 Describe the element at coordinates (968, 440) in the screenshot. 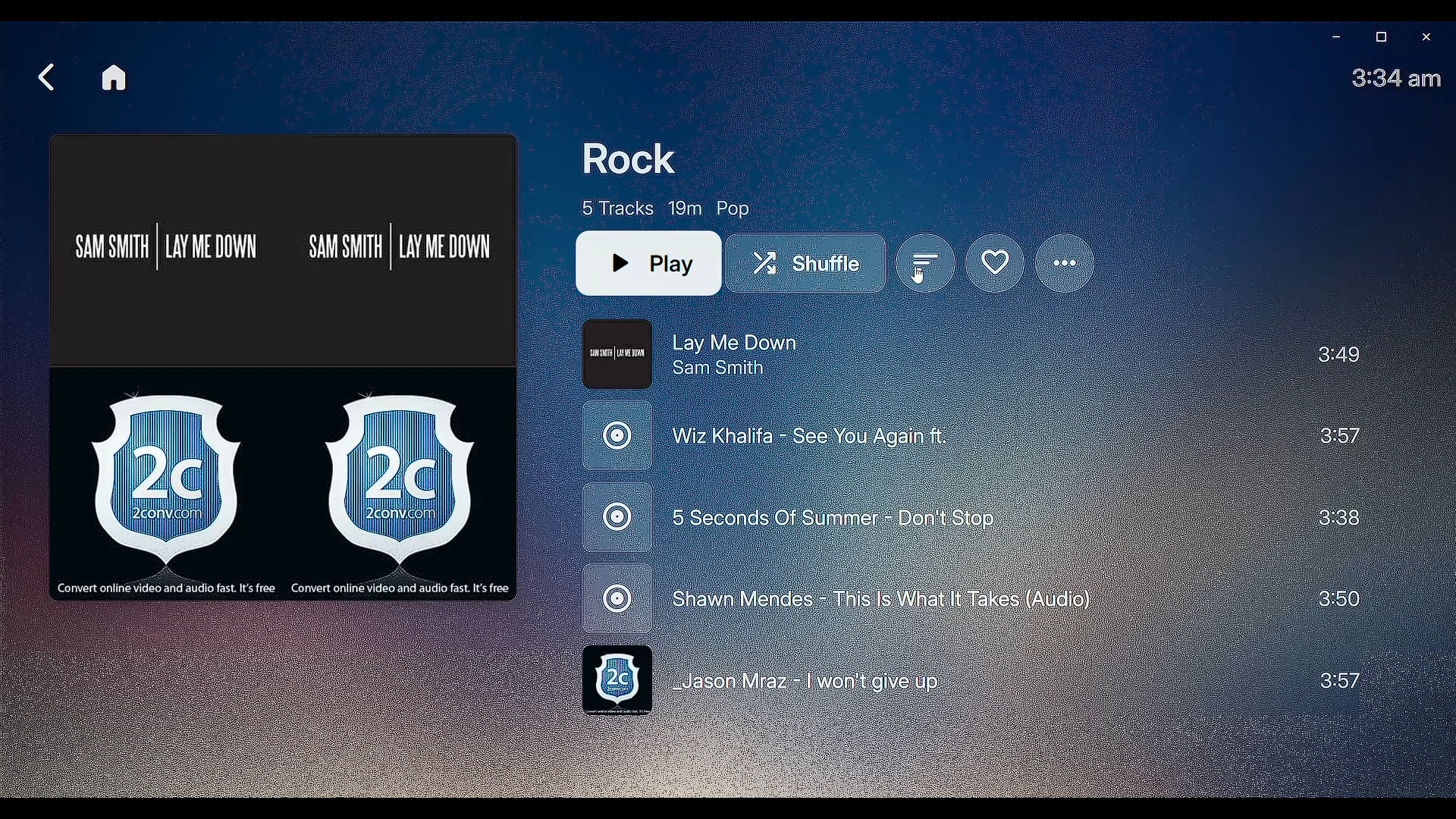

I see `Wiz Khalifa- See you again` at that location.